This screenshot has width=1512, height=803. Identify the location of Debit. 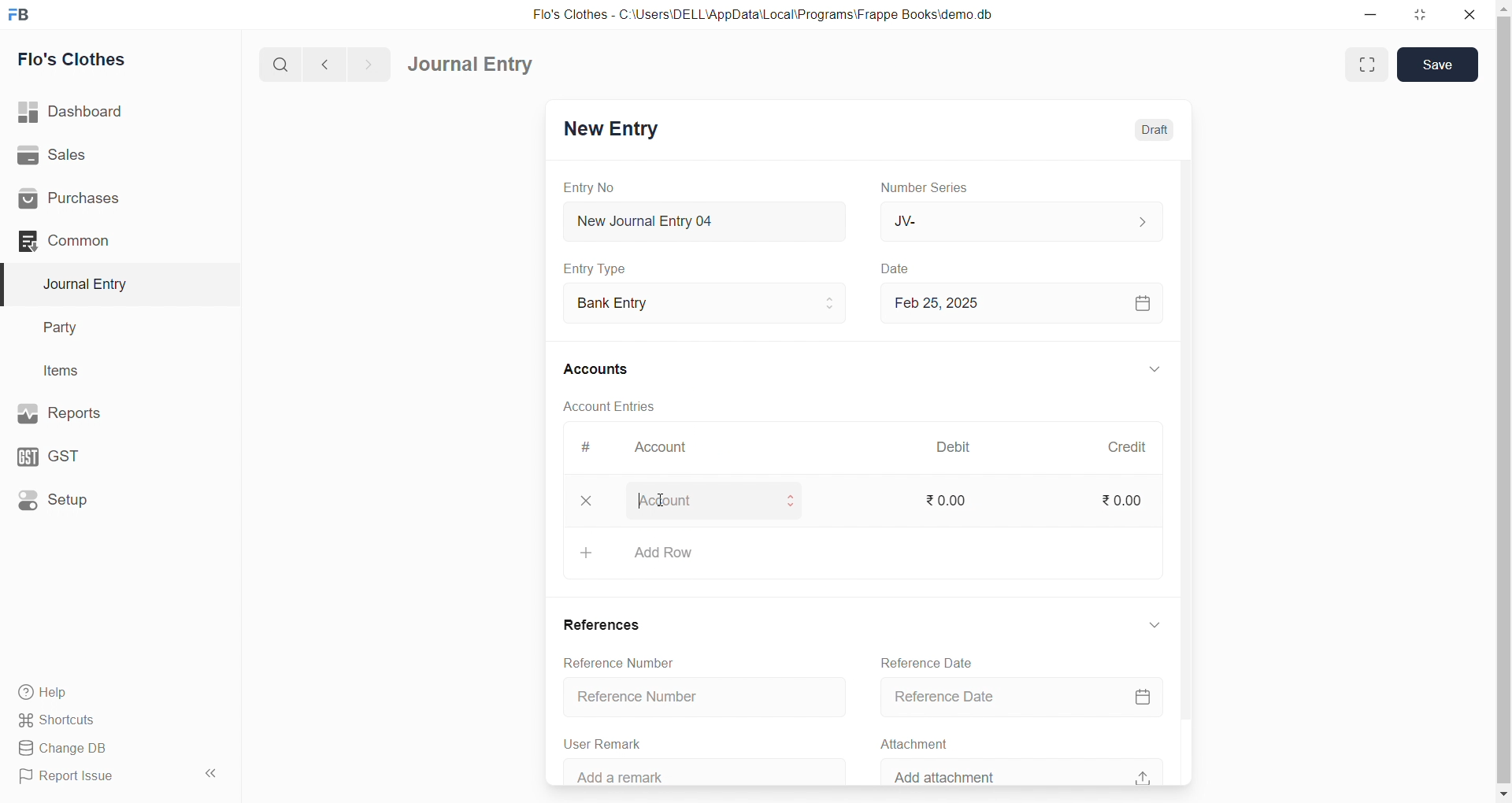
(962, 449).